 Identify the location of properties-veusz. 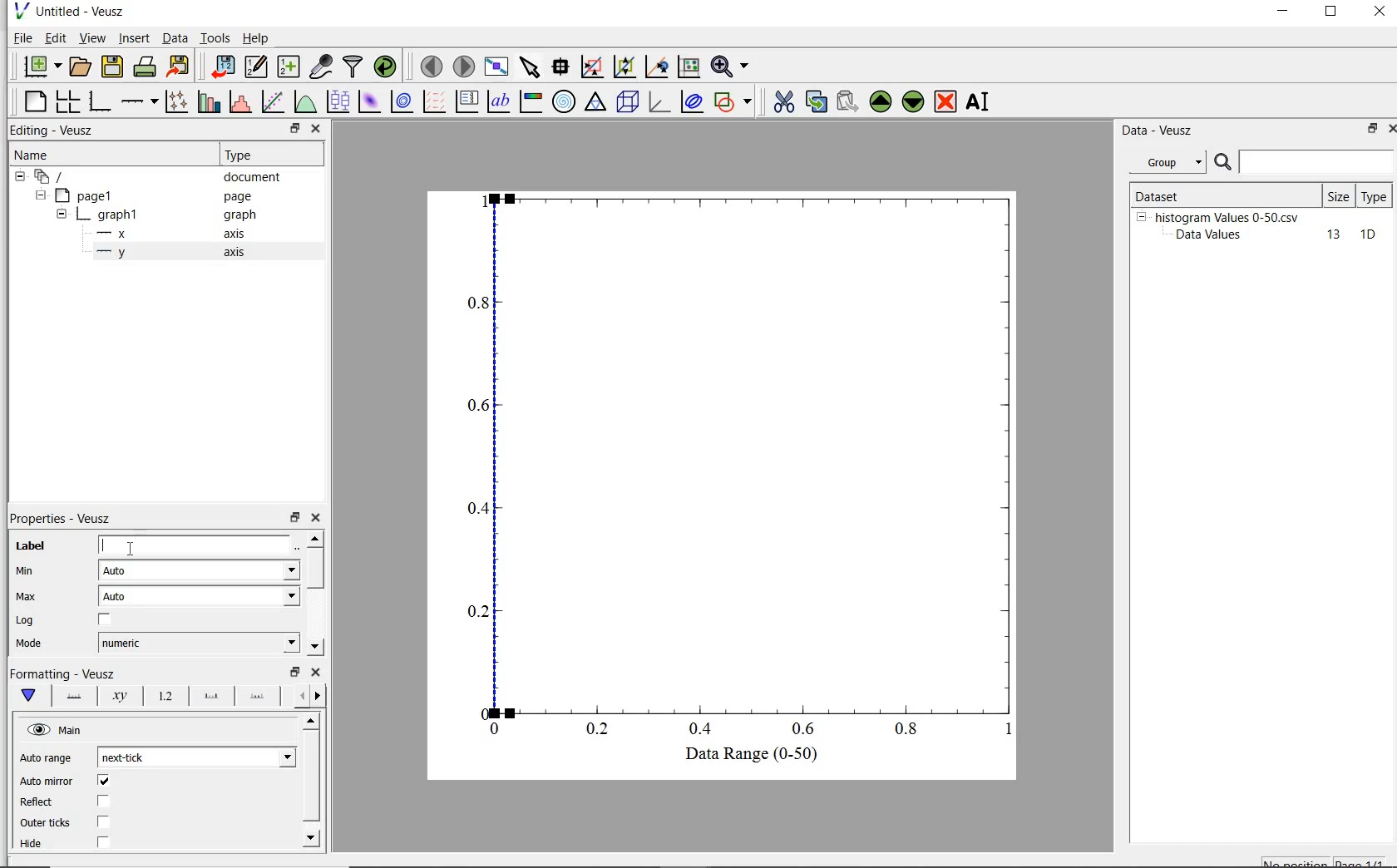
(61, 519).